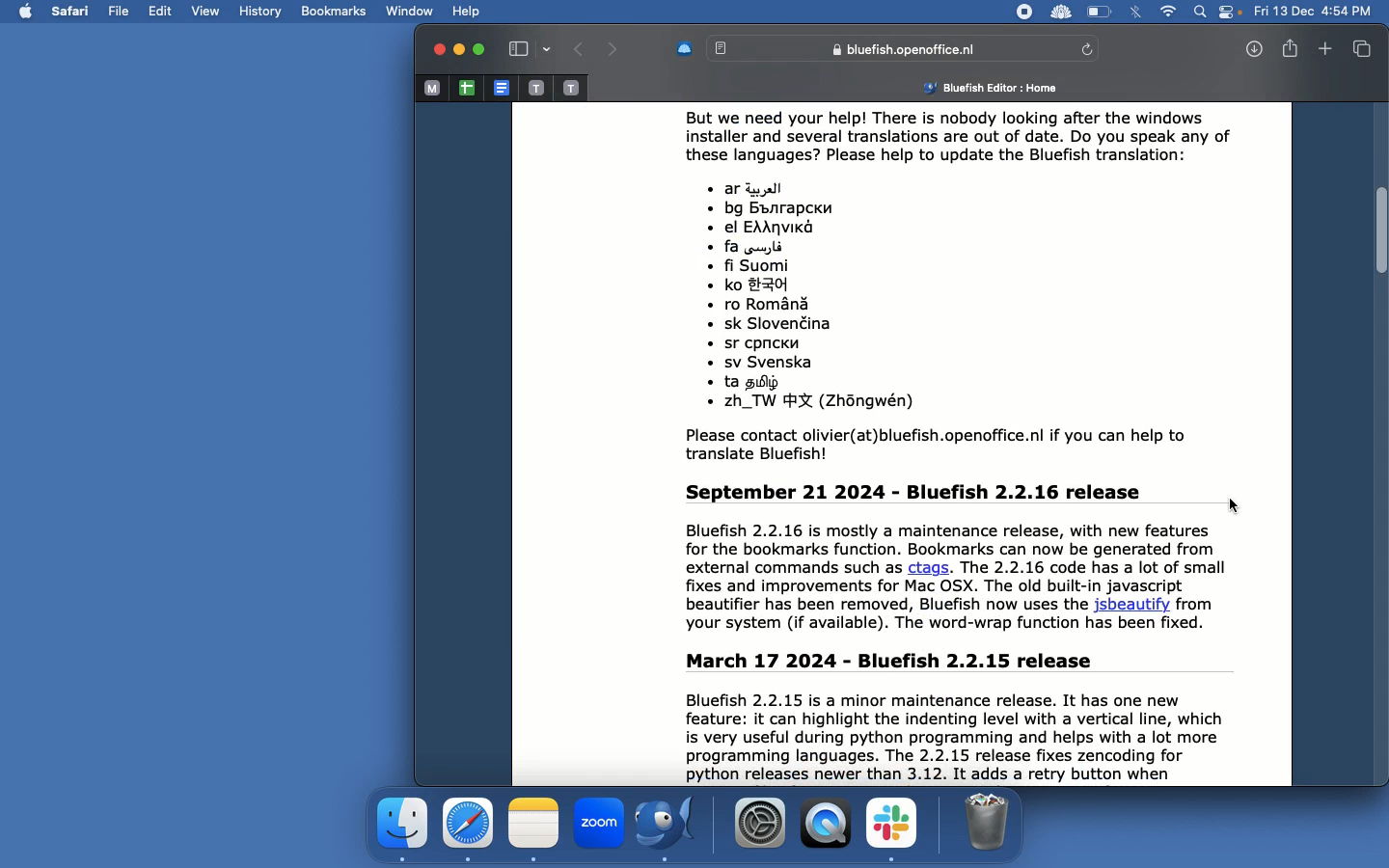 This screenshot has height=868, width=1389. I want to click on Application, so click(401, 826).